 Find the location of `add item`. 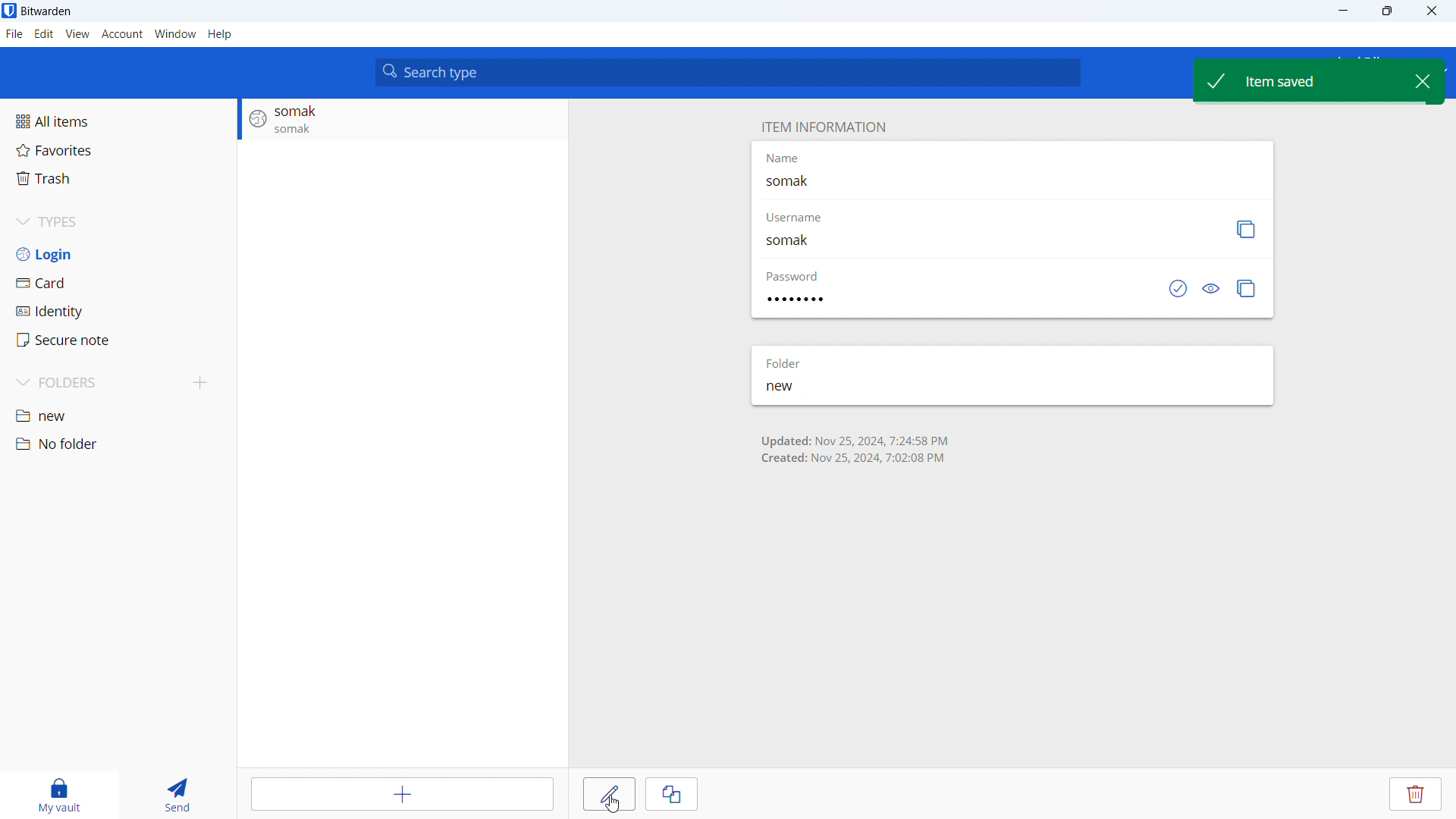

add item is located at coordinates (405, 793).